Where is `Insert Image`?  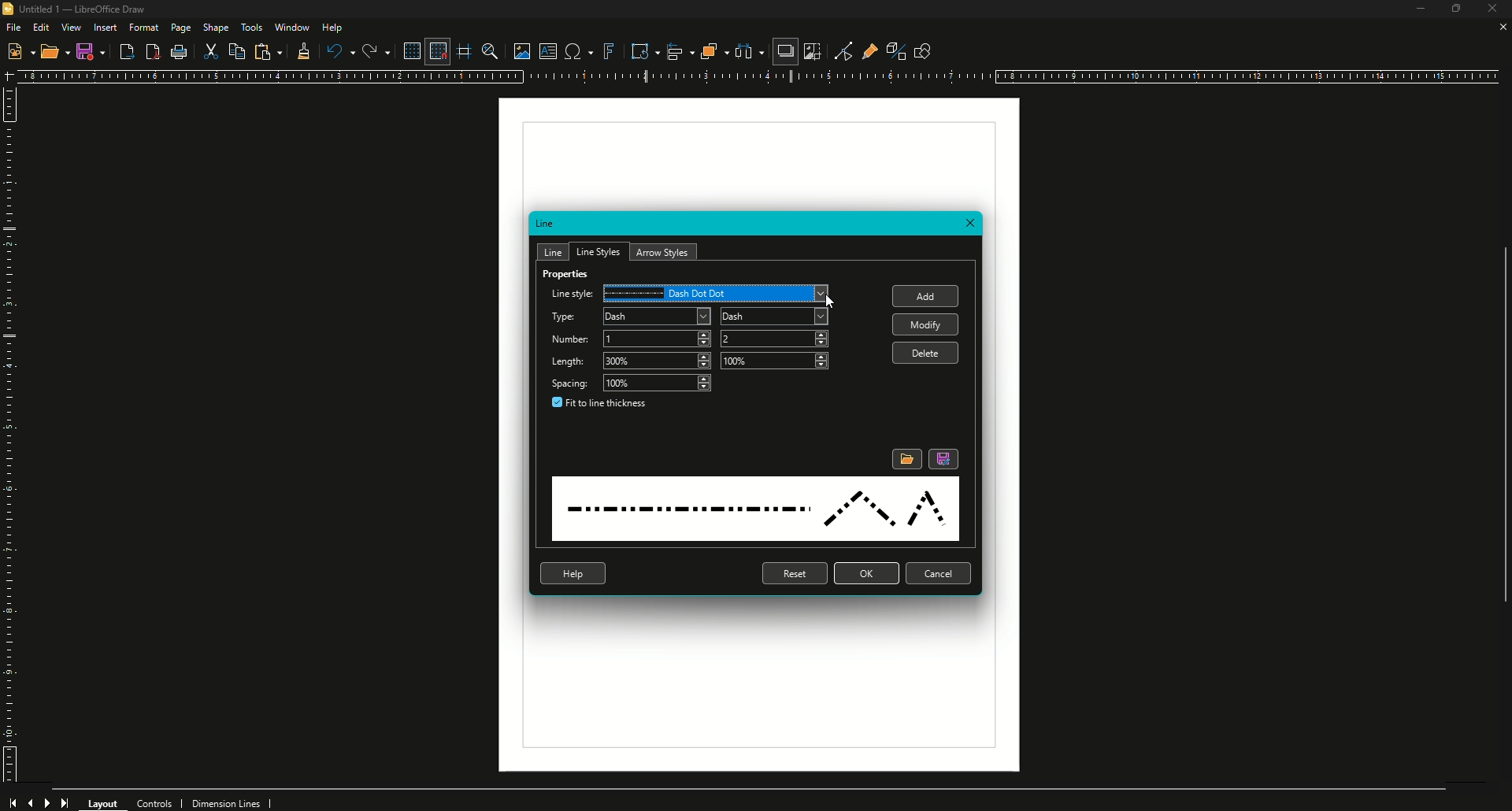
Insert Image is located at coordinates (517, 49).